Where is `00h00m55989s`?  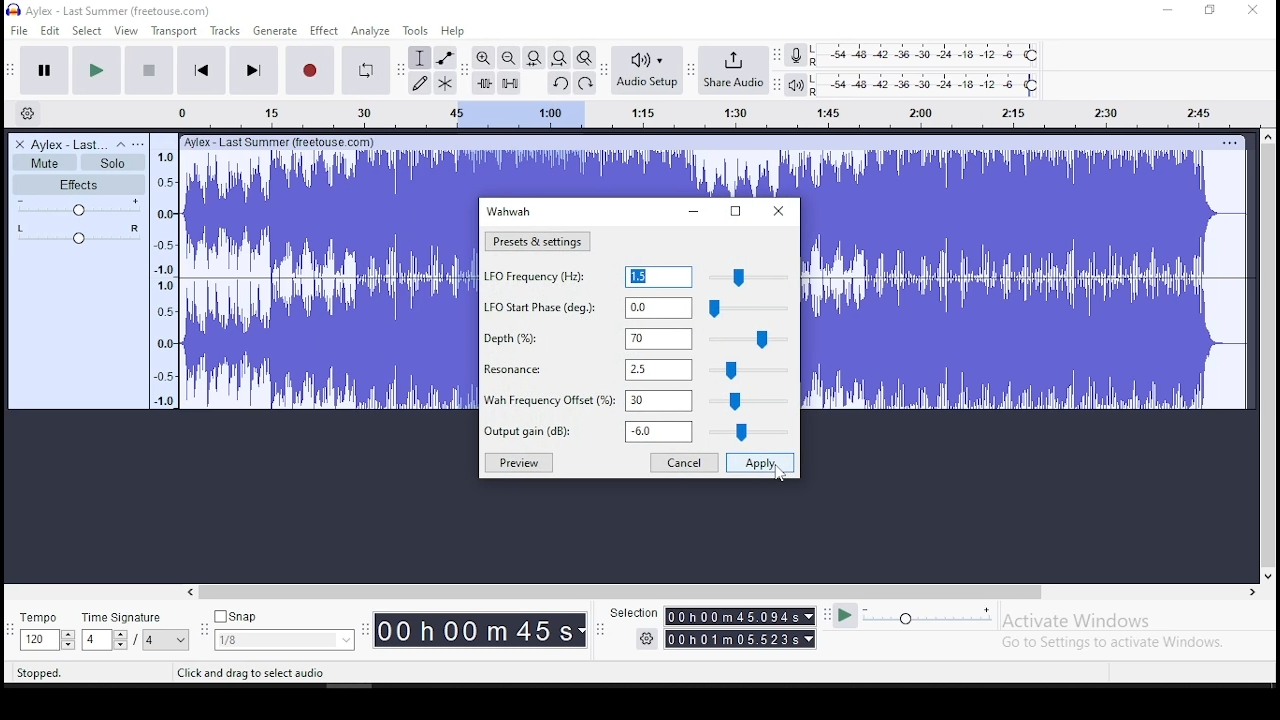
00h00m55989s is located at coordinates (741, 640).